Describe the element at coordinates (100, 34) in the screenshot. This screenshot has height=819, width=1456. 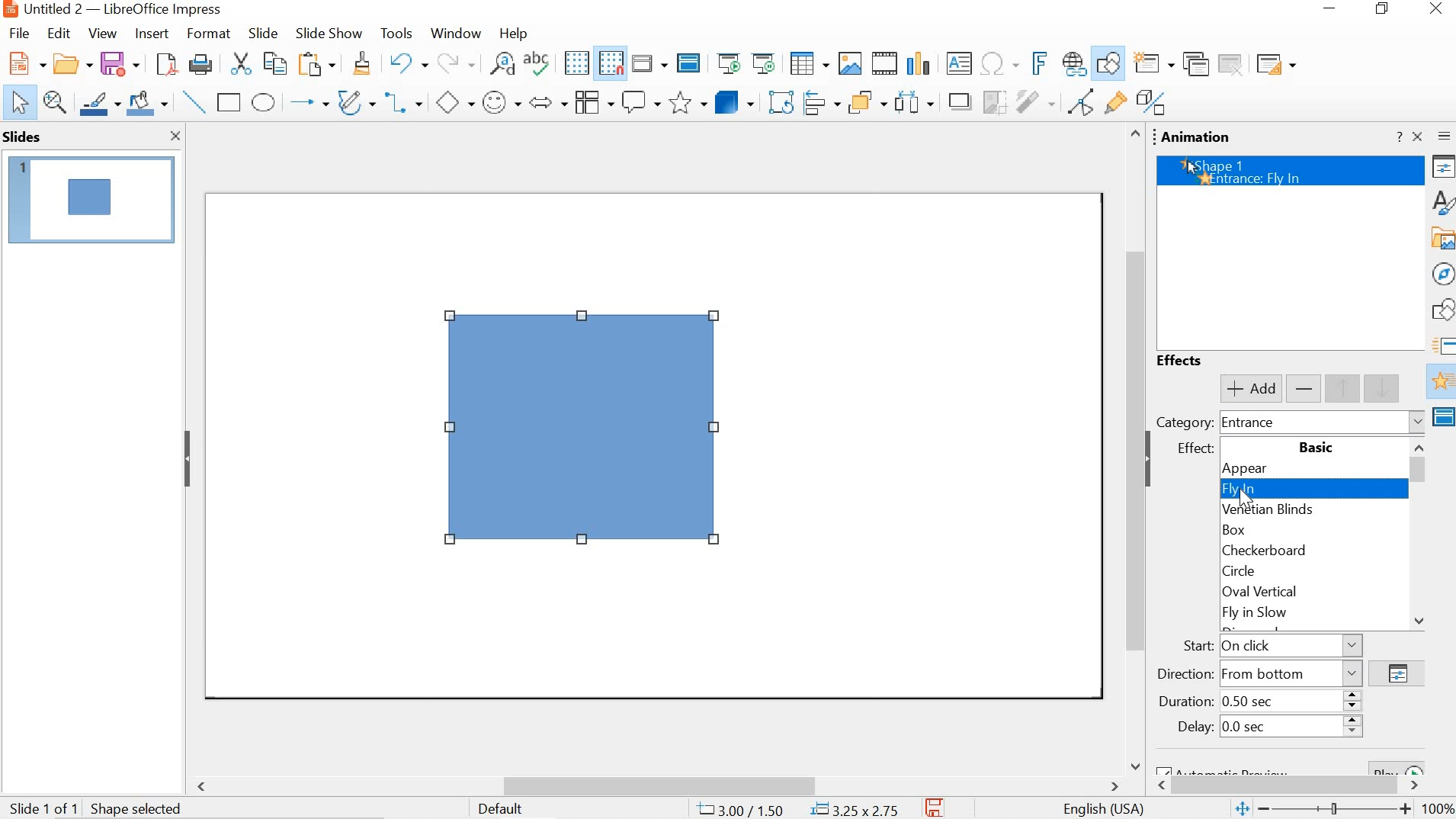
I see `view` at that location.